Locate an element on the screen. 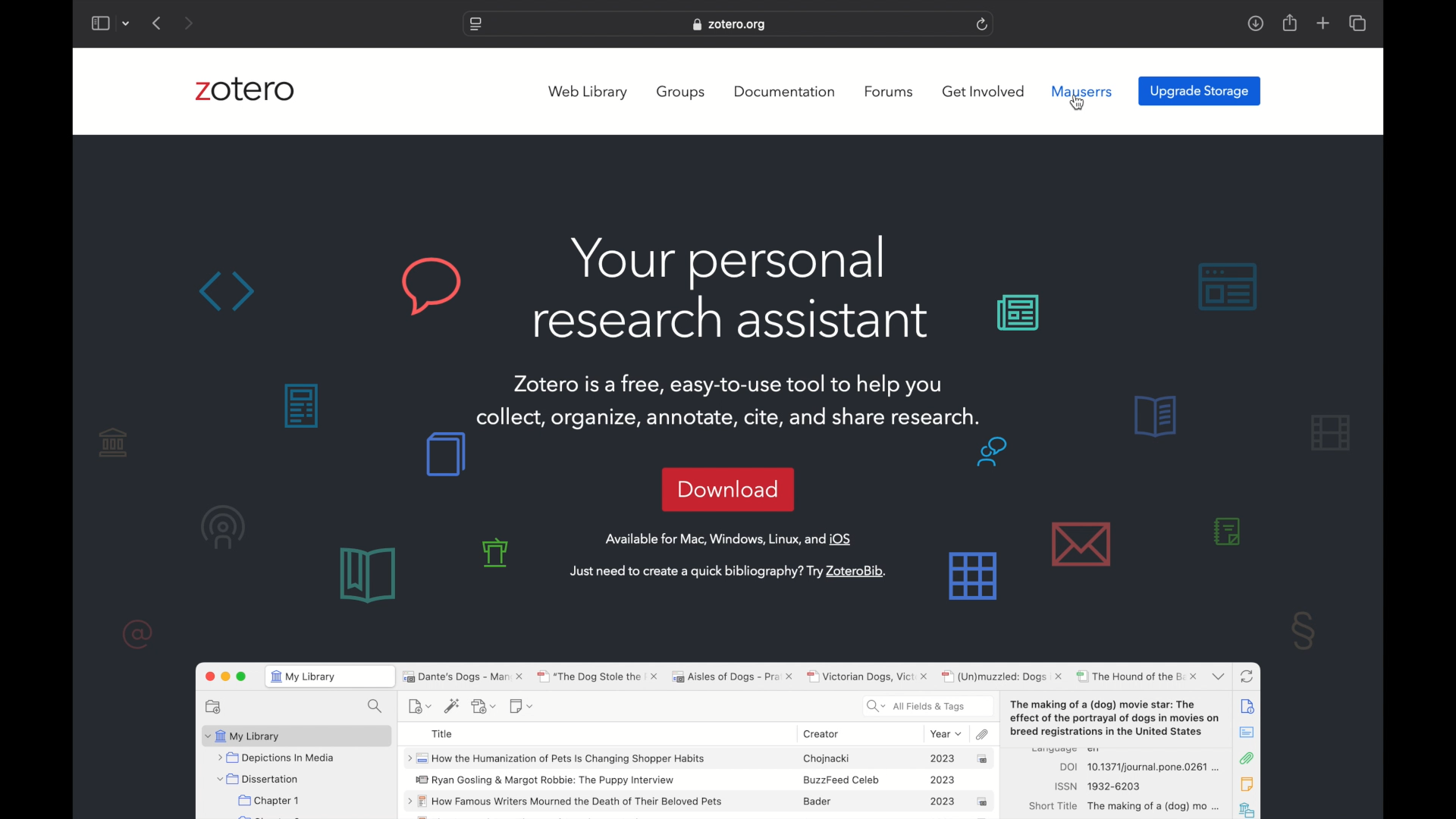 Image resolution: width=1456 pixels, height=819 pixels. background graphics is located at coordinates (1304, 630).